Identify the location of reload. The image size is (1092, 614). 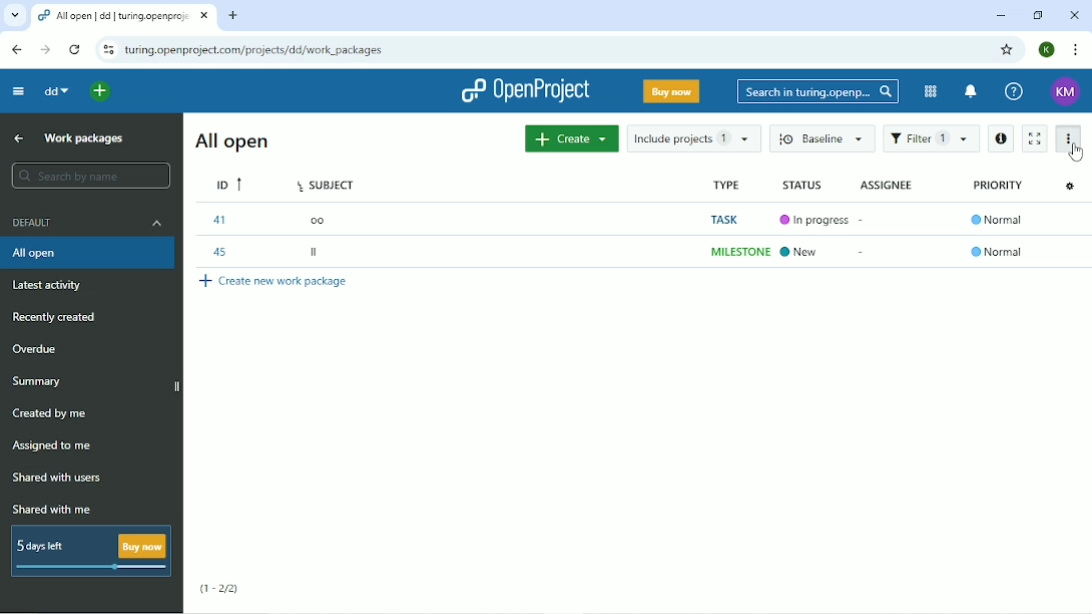
(73, 48).